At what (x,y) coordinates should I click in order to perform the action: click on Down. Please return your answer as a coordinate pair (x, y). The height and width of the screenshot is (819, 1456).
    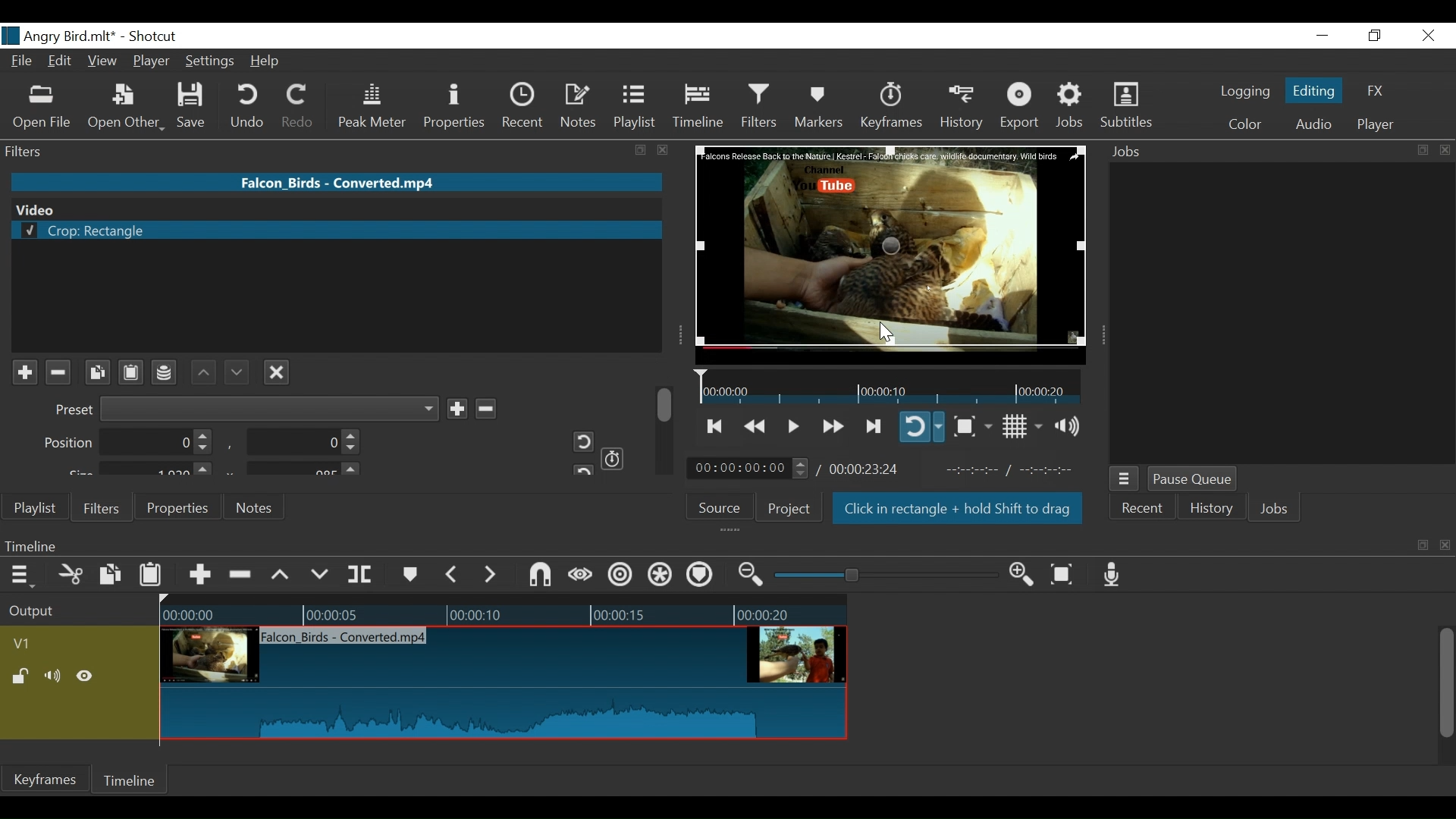
    Looking at the image, I should click on (234, 369).